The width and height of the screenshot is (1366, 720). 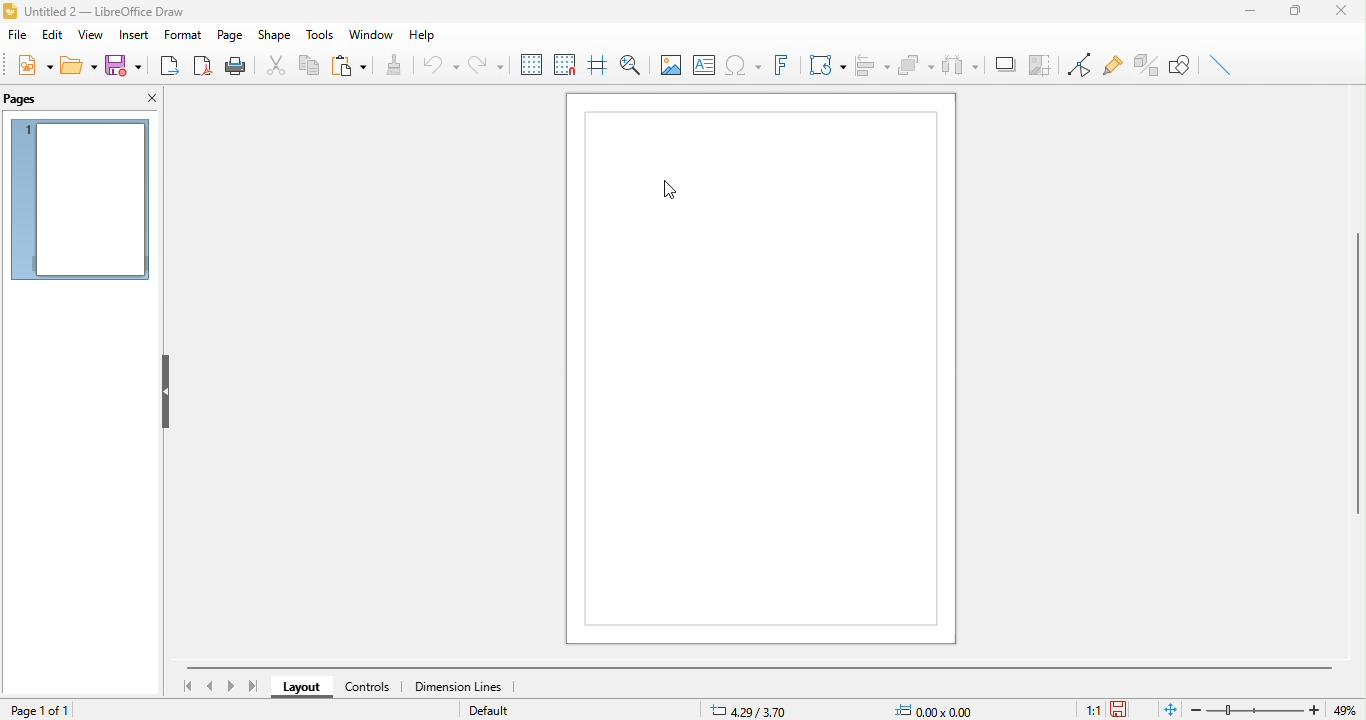 I want to click on window, so click(x=371, y=35).